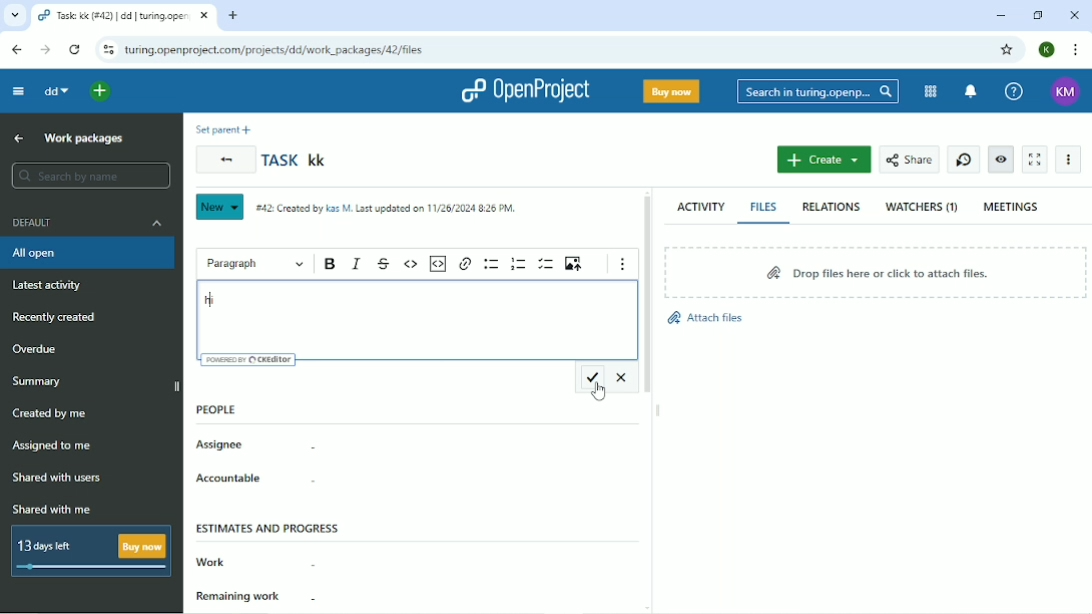  I want to click on Minimize, so click(1001, 16).